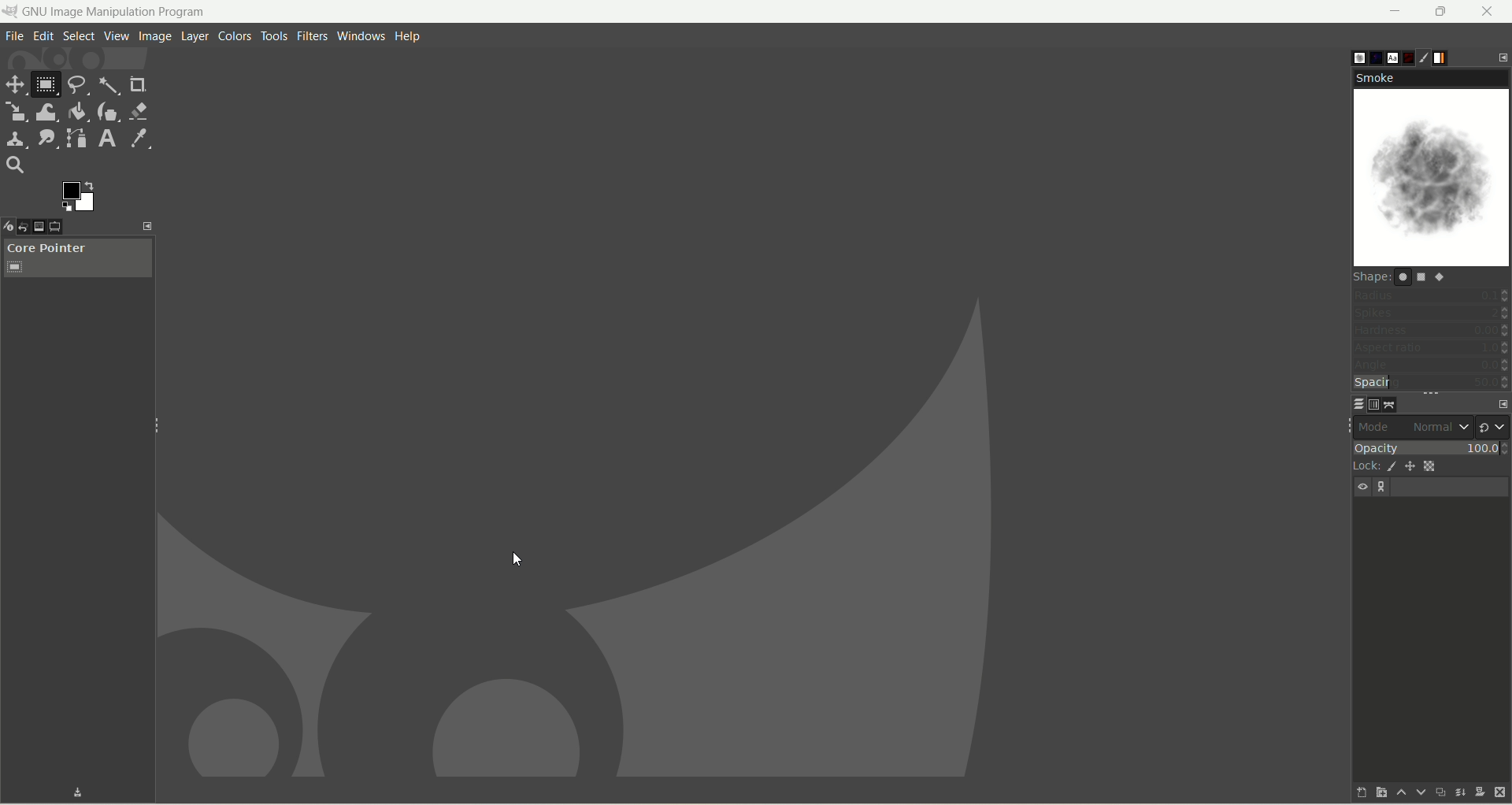 The height and width of the screenshot is (805, 1512). Describe the element at coordinates (1389, 57) in the screenshot. I see `font` at that location.